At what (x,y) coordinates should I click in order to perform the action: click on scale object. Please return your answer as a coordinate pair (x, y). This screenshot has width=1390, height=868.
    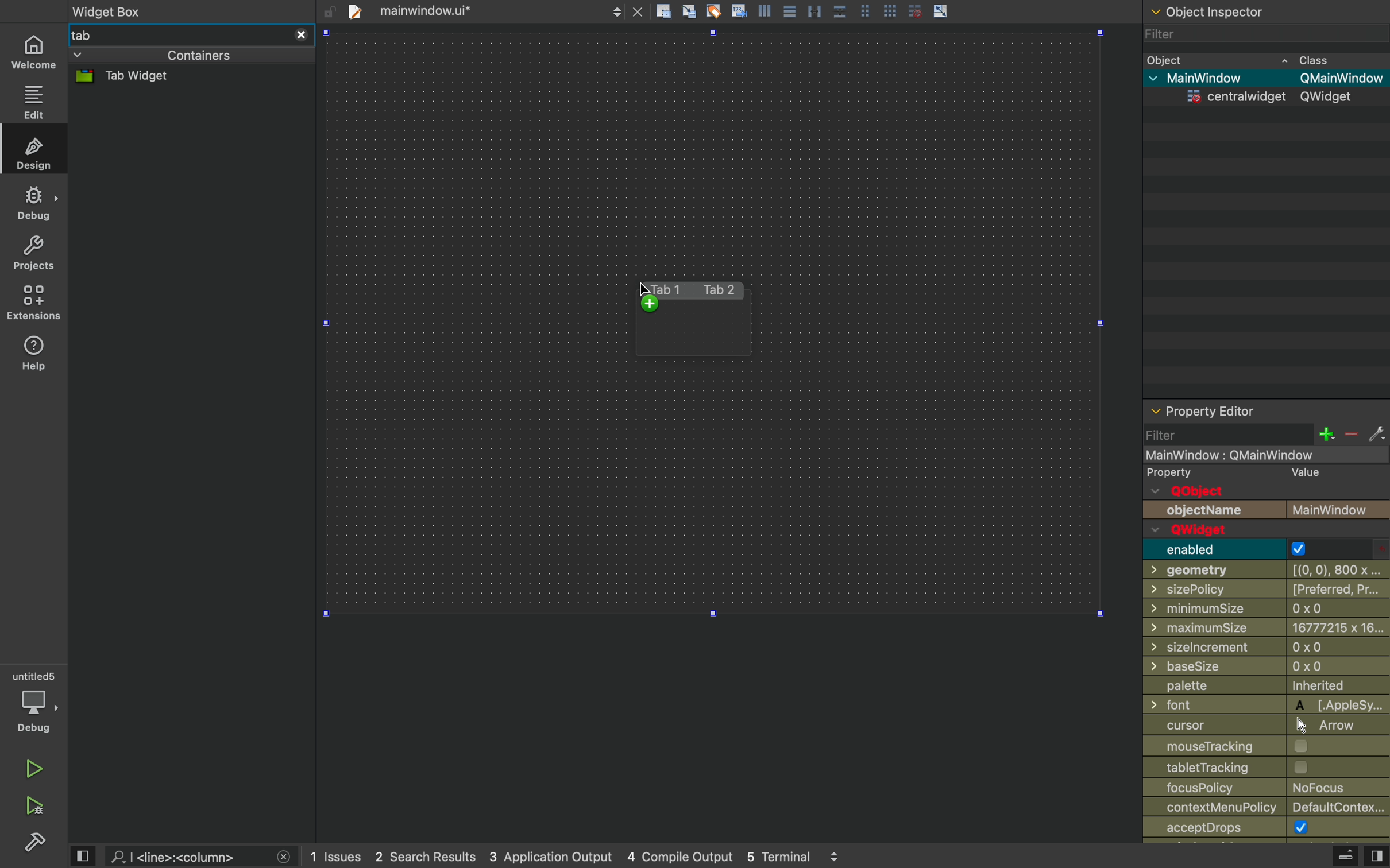
    Looking at the image, I should click on (940, 10).